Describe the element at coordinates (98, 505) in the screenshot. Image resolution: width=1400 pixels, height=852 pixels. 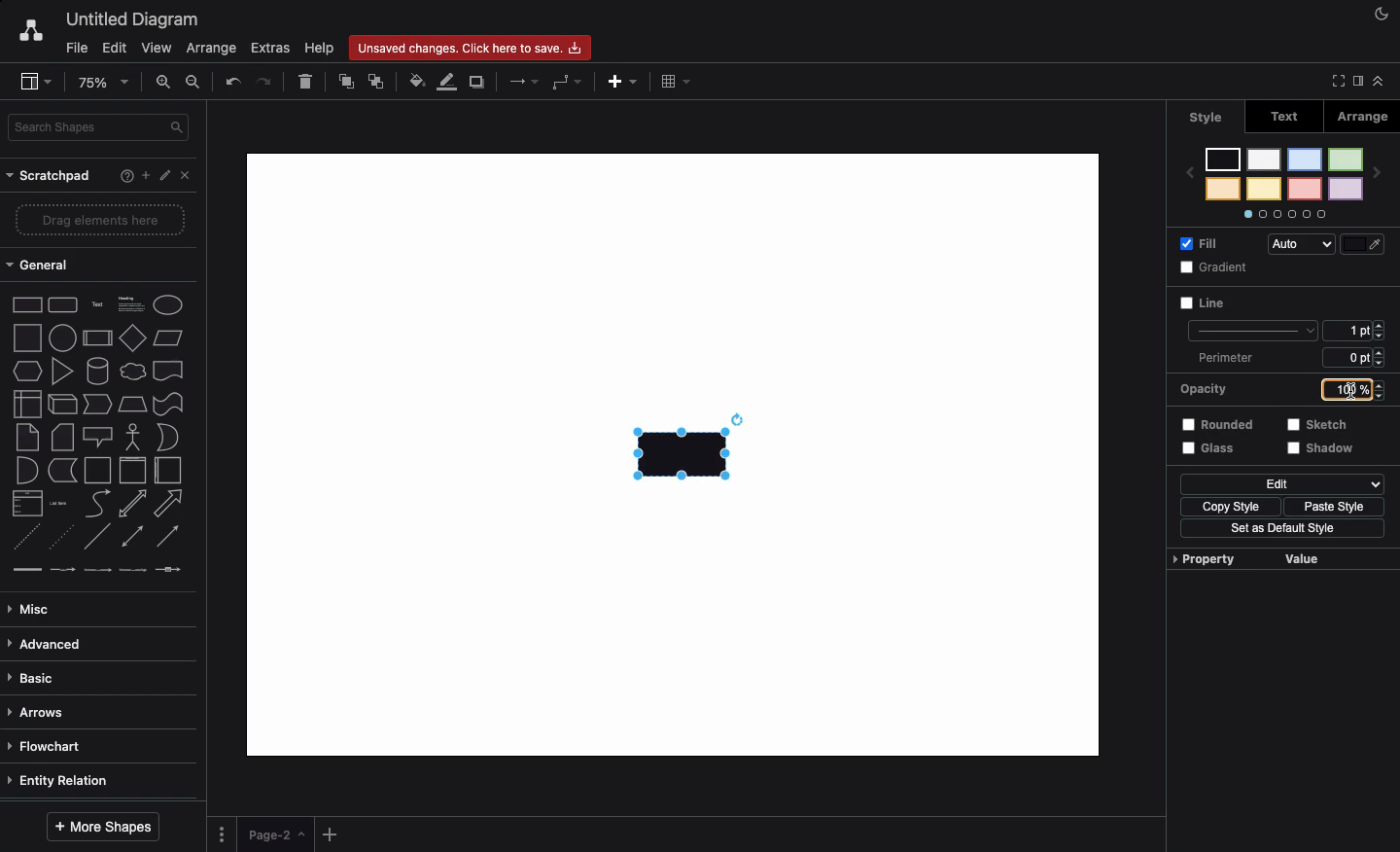
I see `curve` at that location.